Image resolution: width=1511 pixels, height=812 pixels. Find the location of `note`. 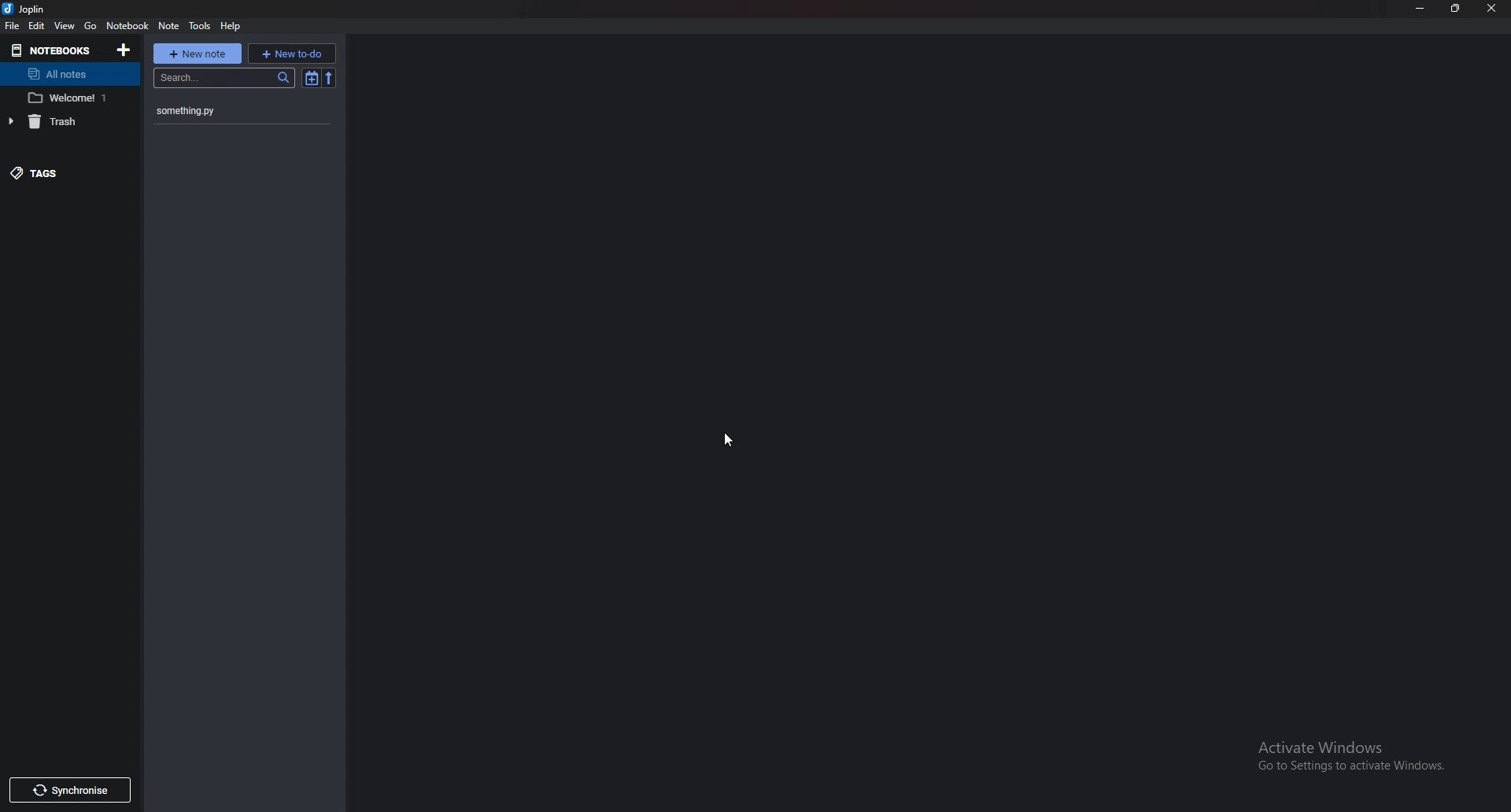

note is located at coordinates (168, 26).